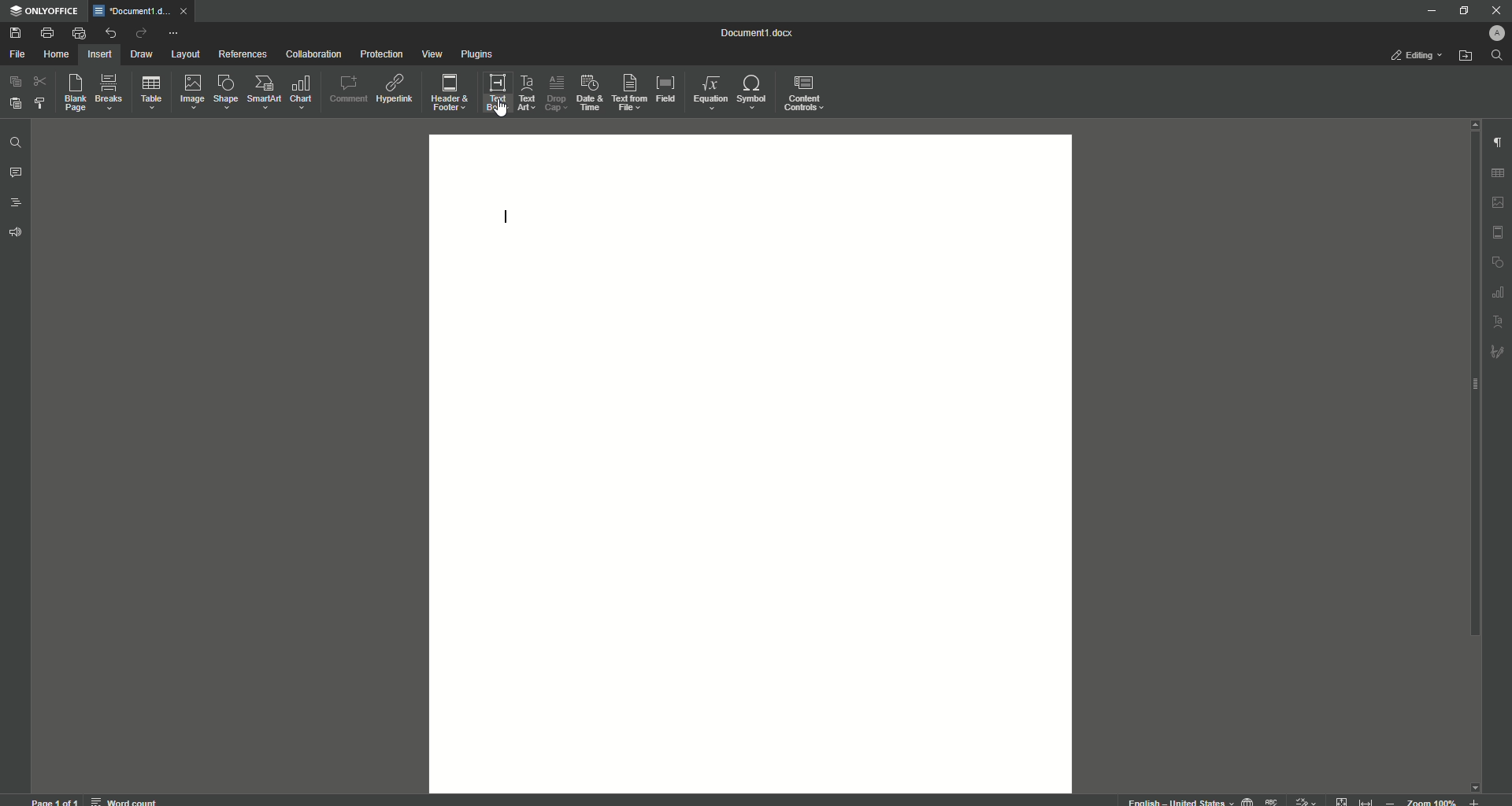  What do you see at coordinates (1496, 142) in the screenshot?
I see ` Paragraph Settings` at bounding box center [1496, 142].